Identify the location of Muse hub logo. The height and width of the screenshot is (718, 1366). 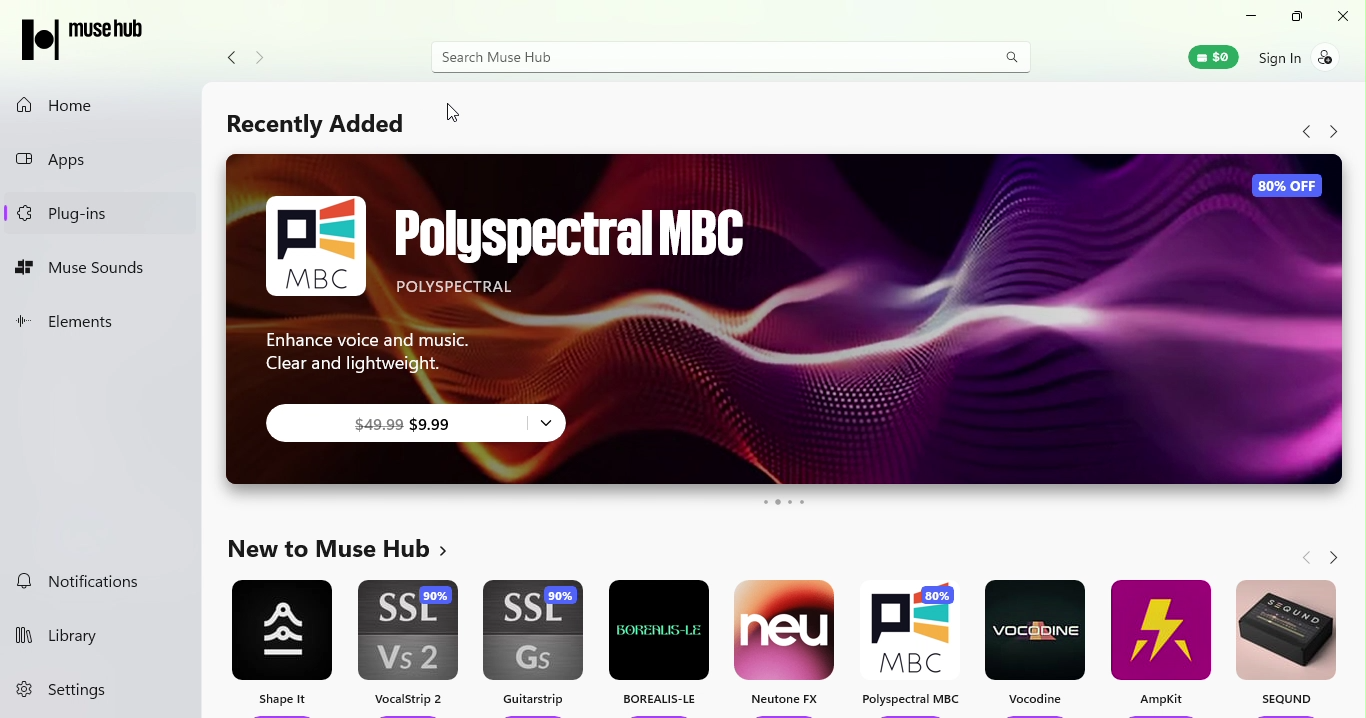
(80, 39).